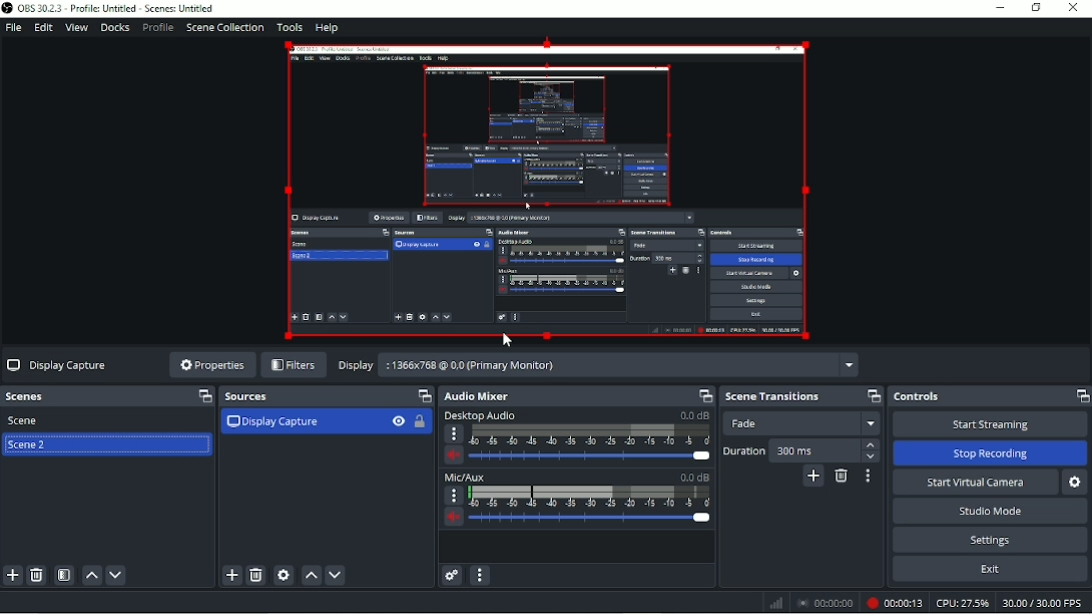 The width and height of the screenshot is (1092, 614). Describe the element at coordinates (702, 395) in the screenshot. I see `Maximize` at that location.